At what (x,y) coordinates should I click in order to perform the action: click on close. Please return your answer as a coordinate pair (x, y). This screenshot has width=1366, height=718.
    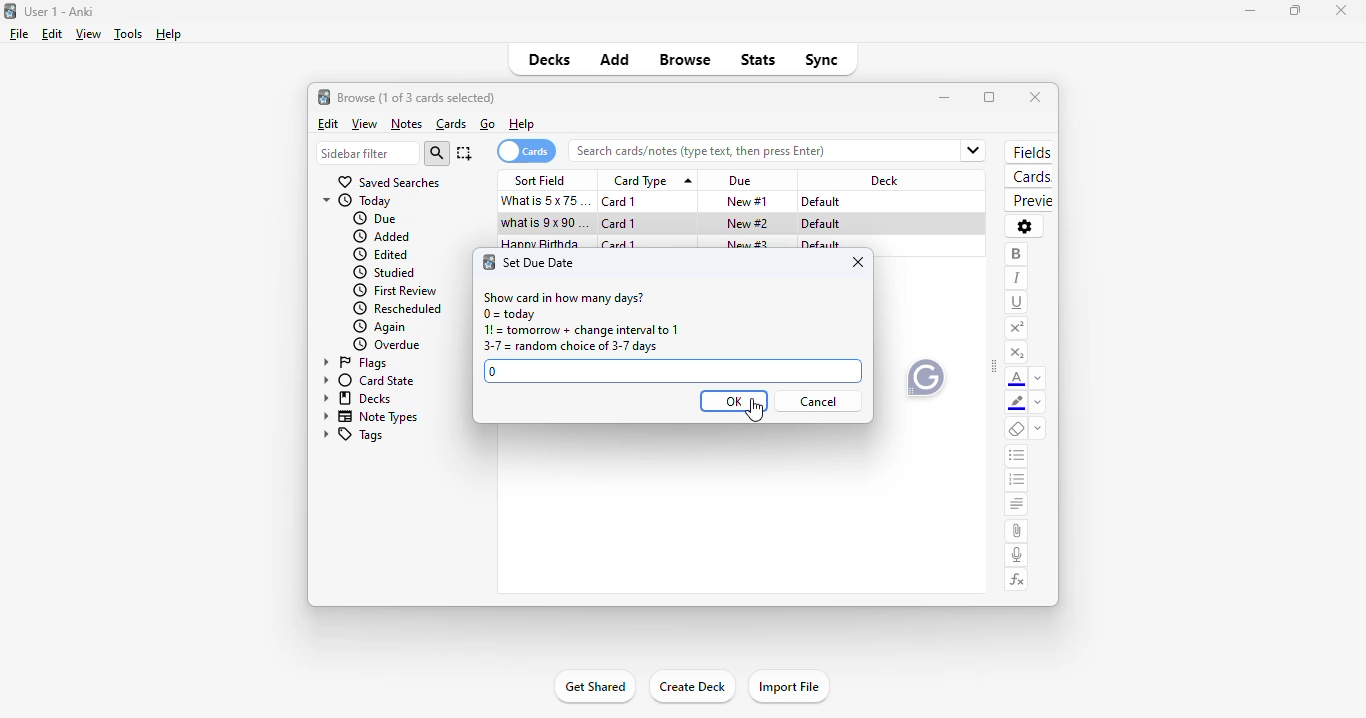
    Looking at the image, I should click on (859, 263).